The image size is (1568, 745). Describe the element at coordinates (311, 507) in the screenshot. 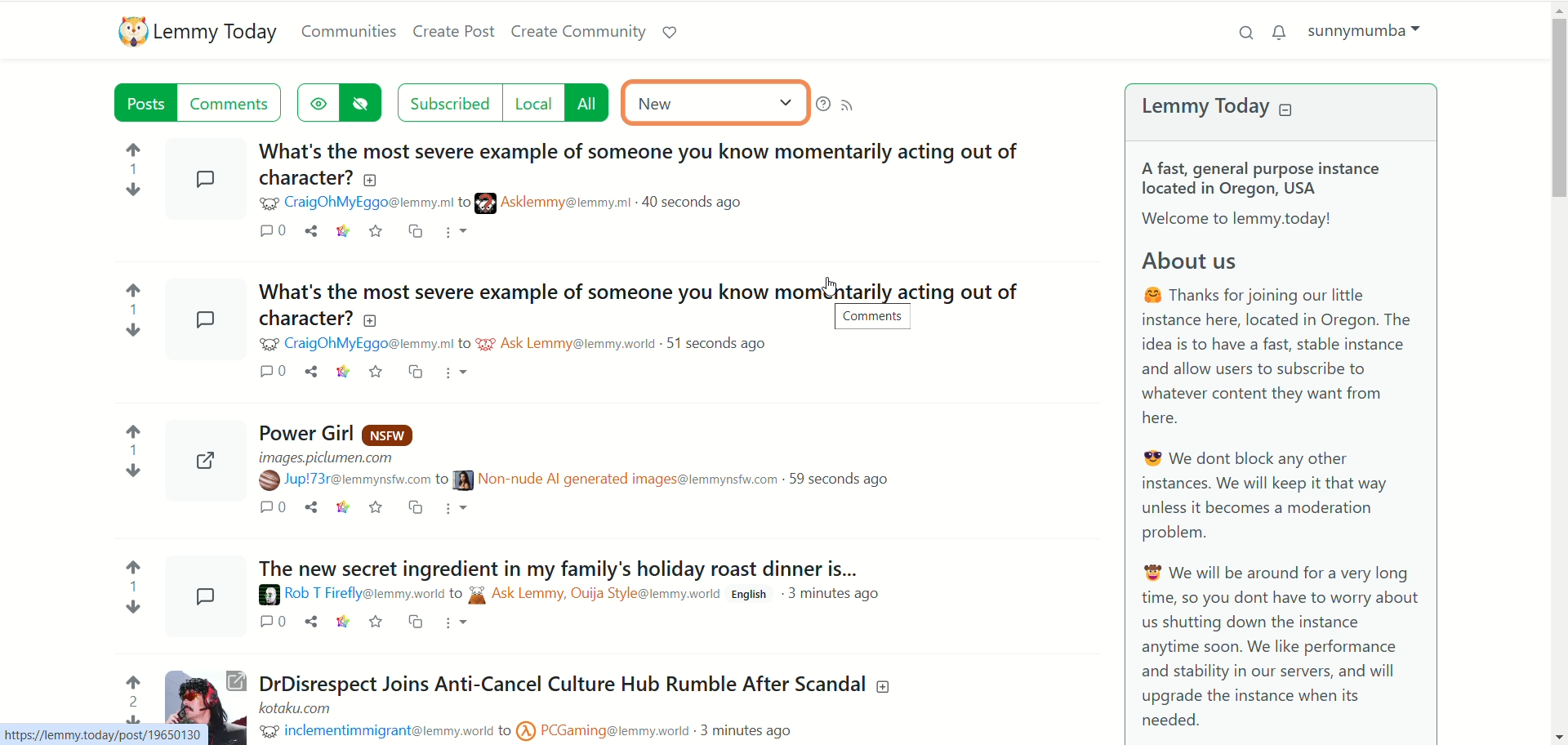

I see `share` at that location.